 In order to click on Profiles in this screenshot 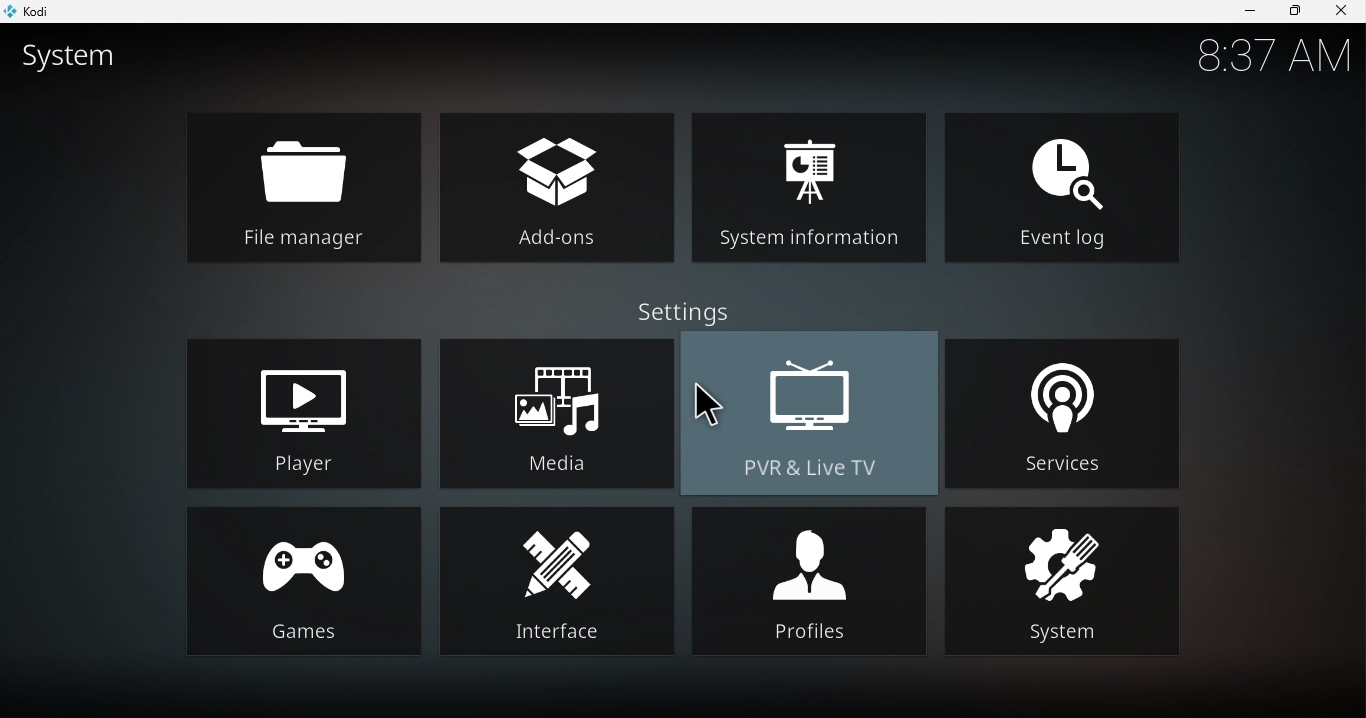, I will do `click(809, 578)`.